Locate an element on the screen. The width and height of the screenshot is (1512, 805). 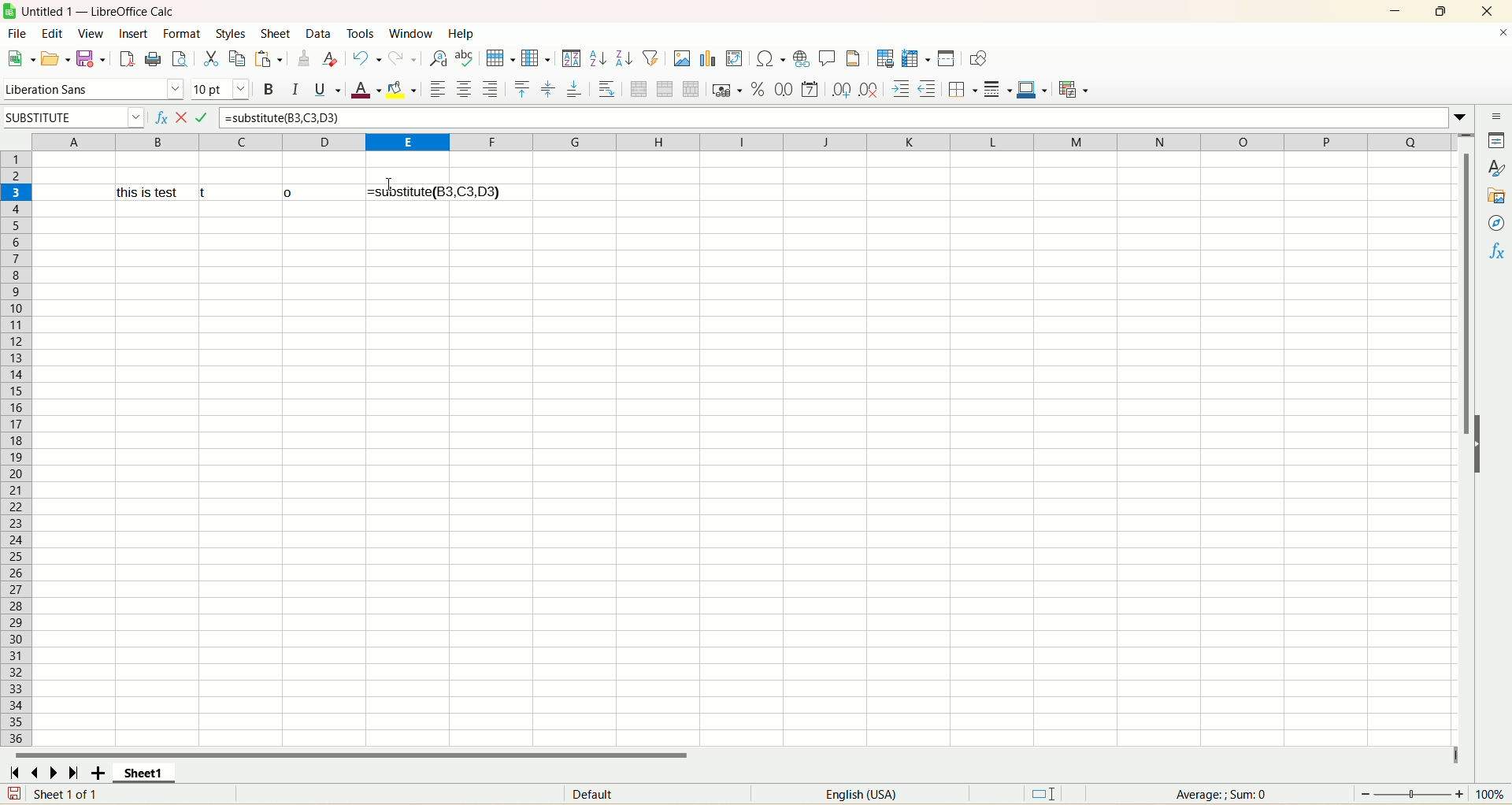
properties is located at coordinates (1499, 143).